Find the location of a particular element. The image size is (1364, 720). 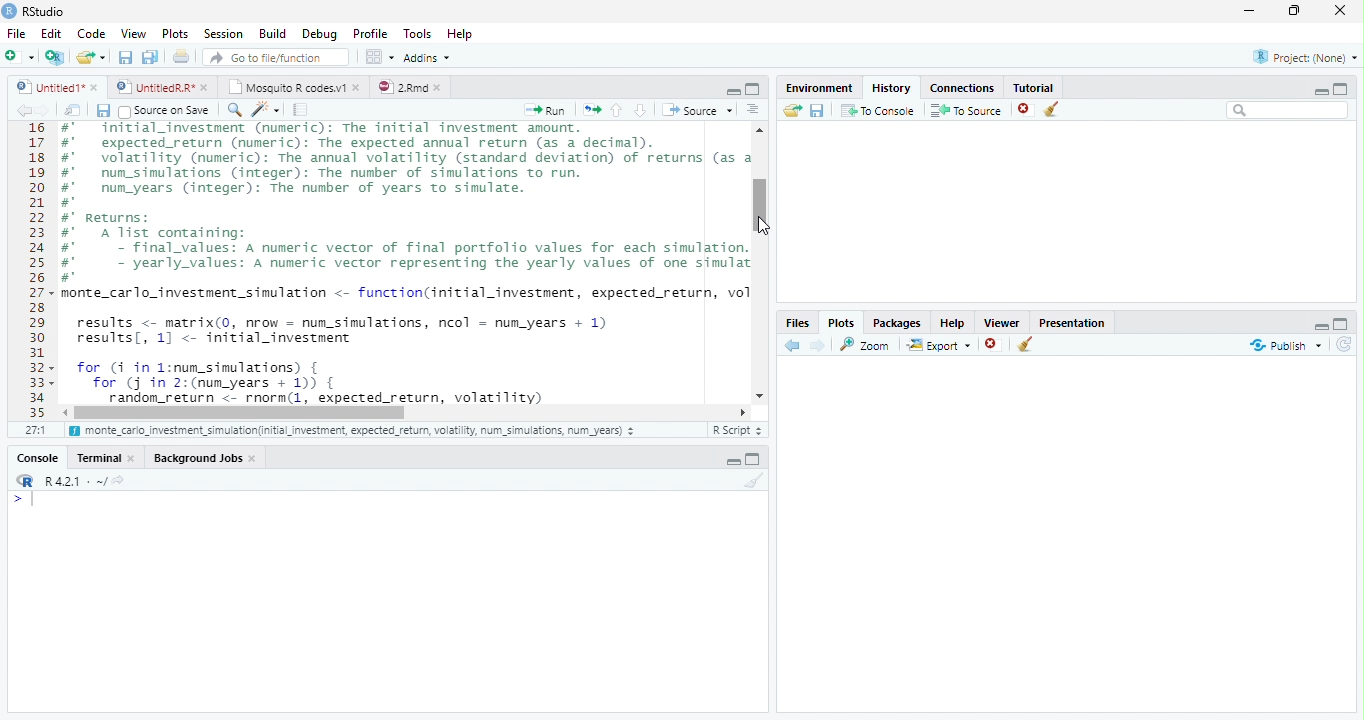

Code Tools is located at coordinates (266, 110).